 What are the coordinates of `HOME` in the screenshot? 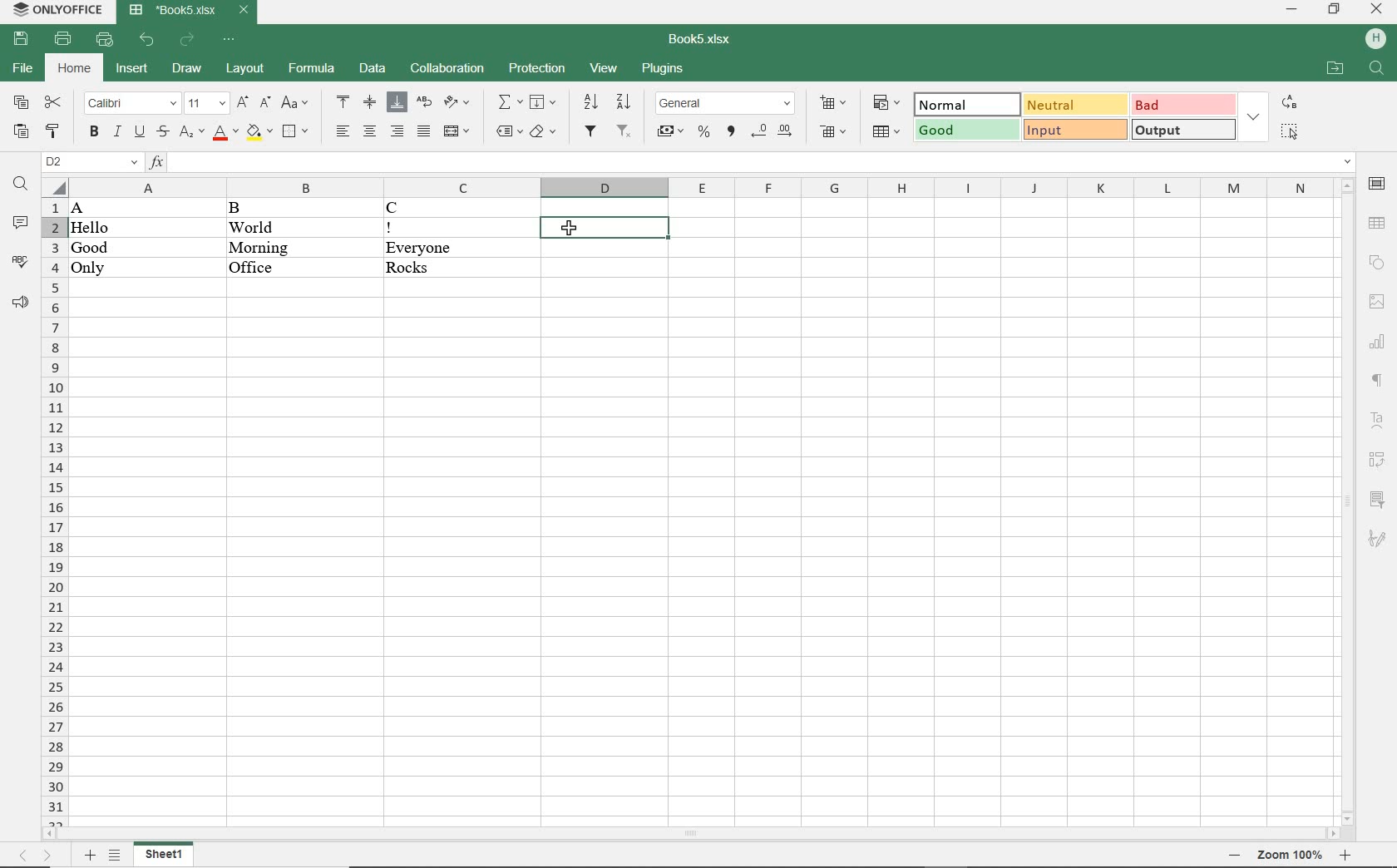 It's located at (72, 68).